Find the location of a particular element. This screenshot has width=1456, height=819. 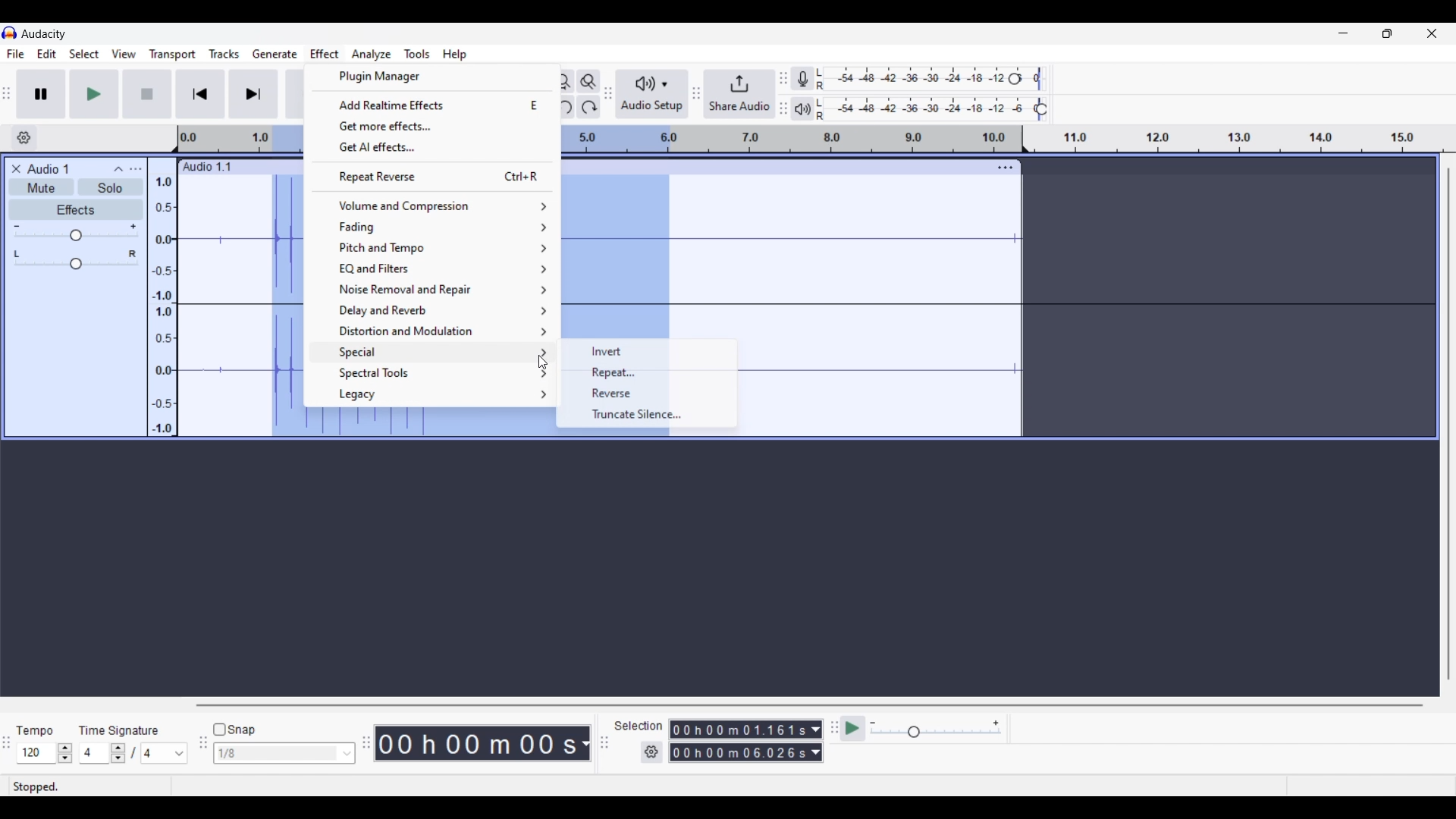

Minimum gain is located at coordinates (16, 226).